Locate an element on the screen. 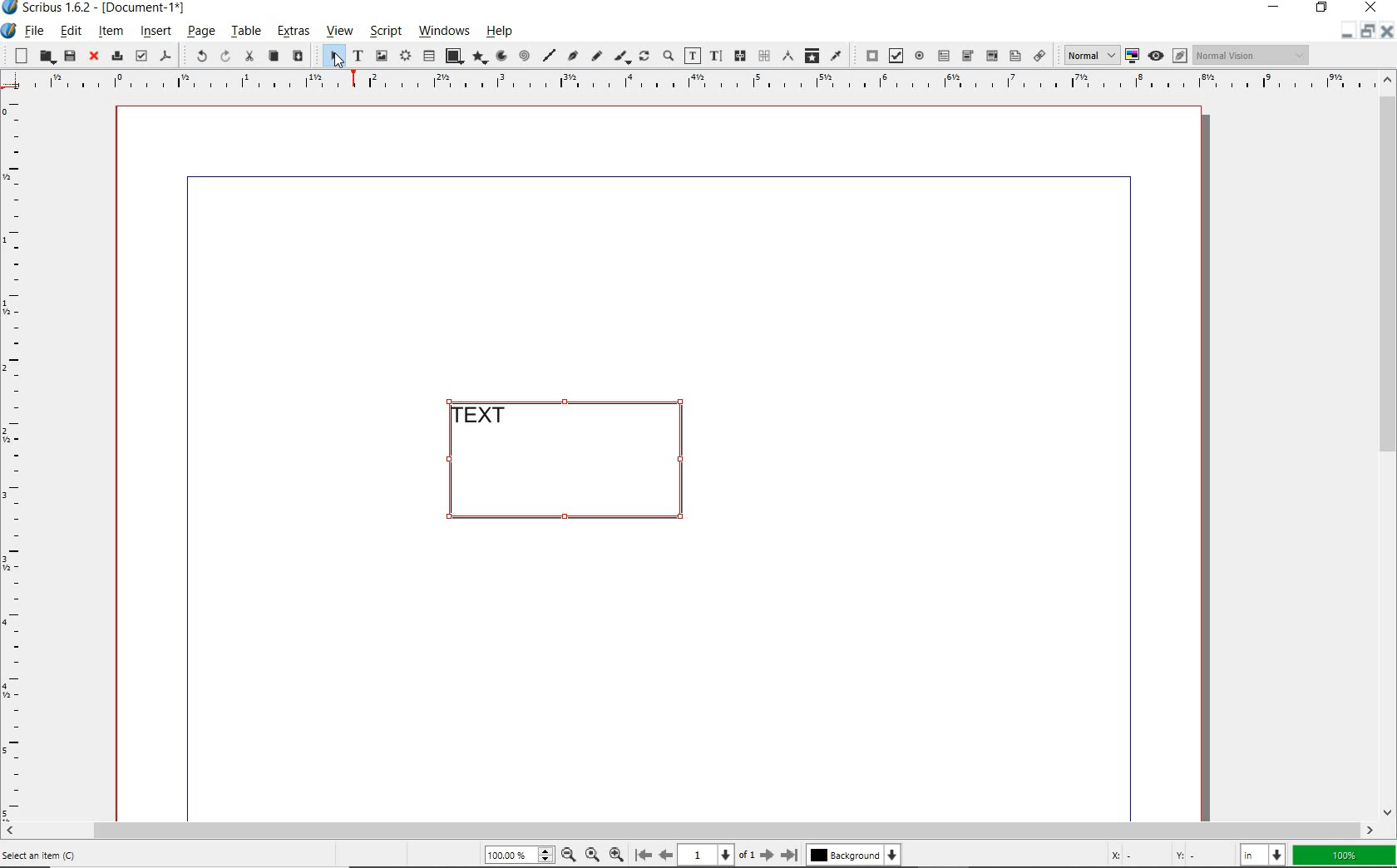 Image resolution: width=1397 pixels, height=868 pixels. page is located at coordinates (200, 33).